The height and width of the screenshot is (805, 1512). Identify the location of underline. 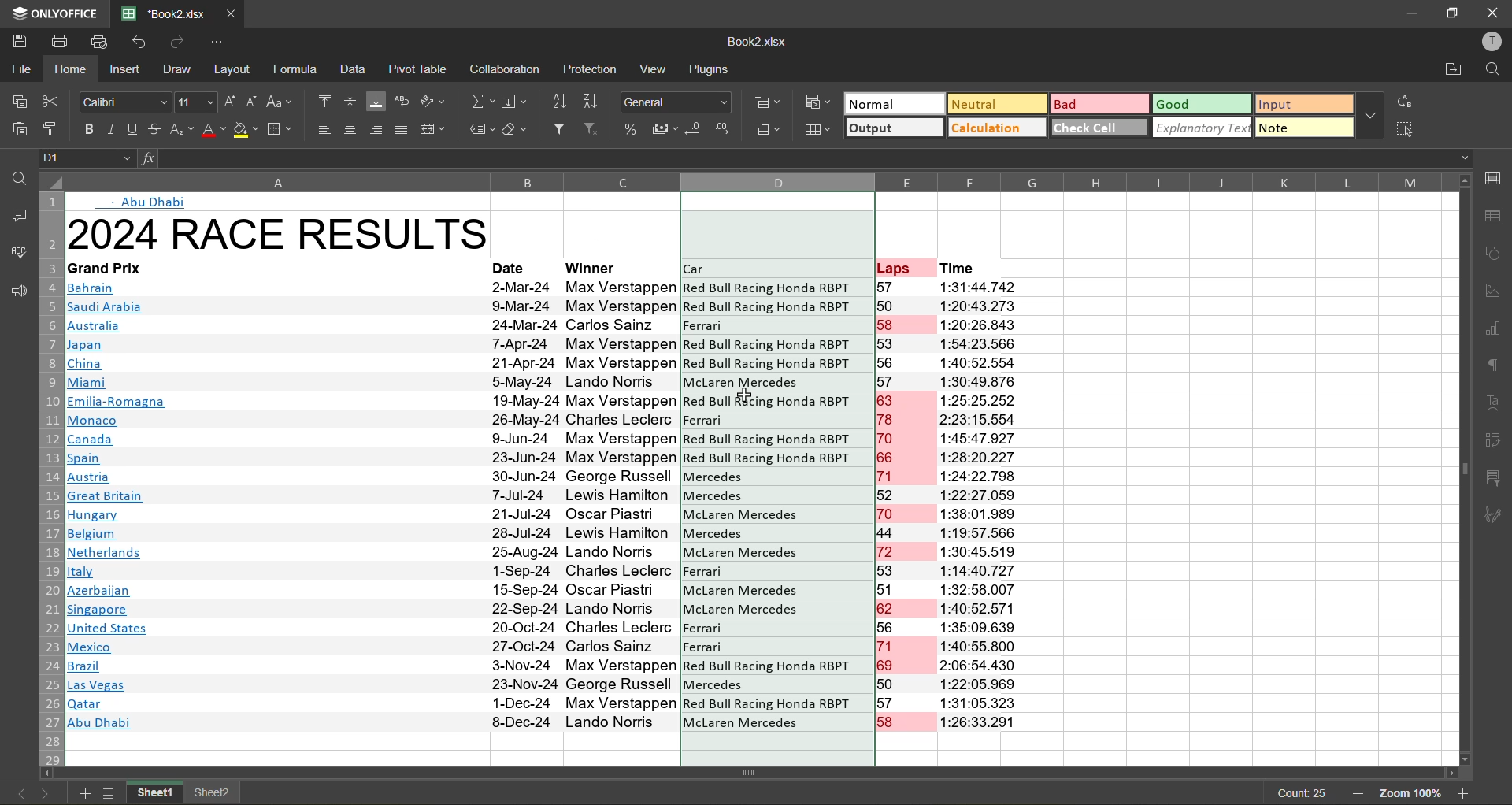
(134, 128).